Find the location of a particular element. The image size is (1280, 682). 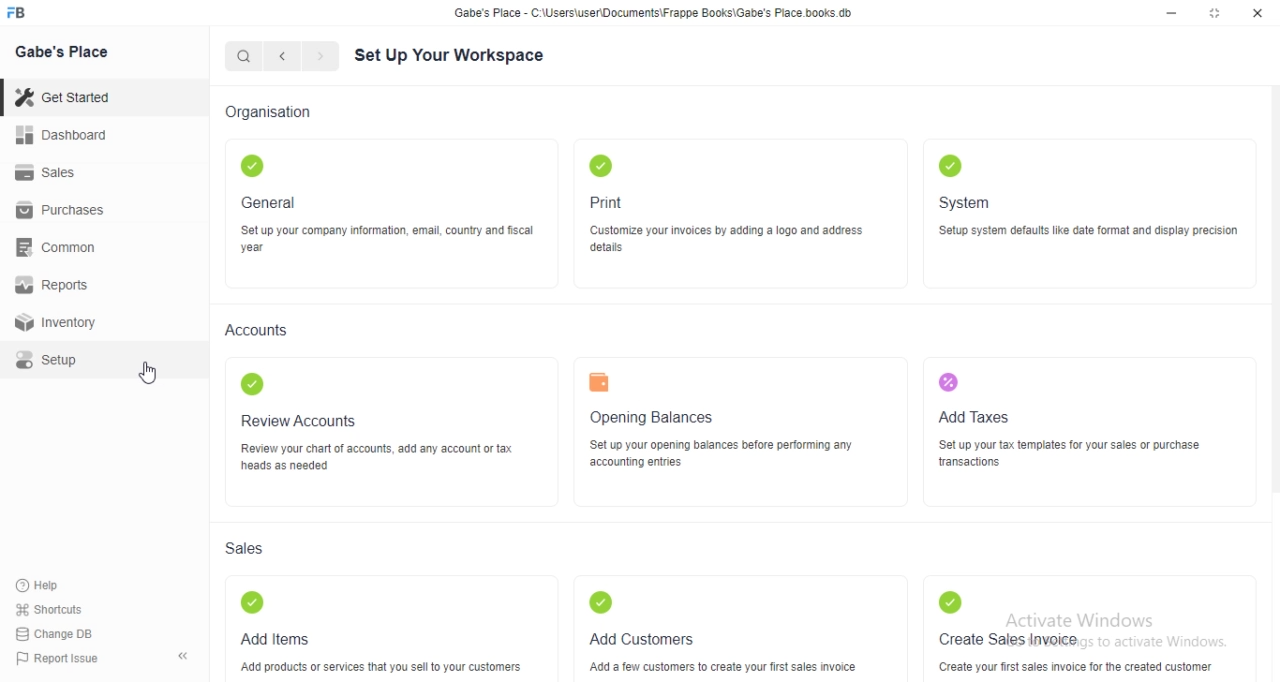

Change DB is located at coordinates (69, 633).